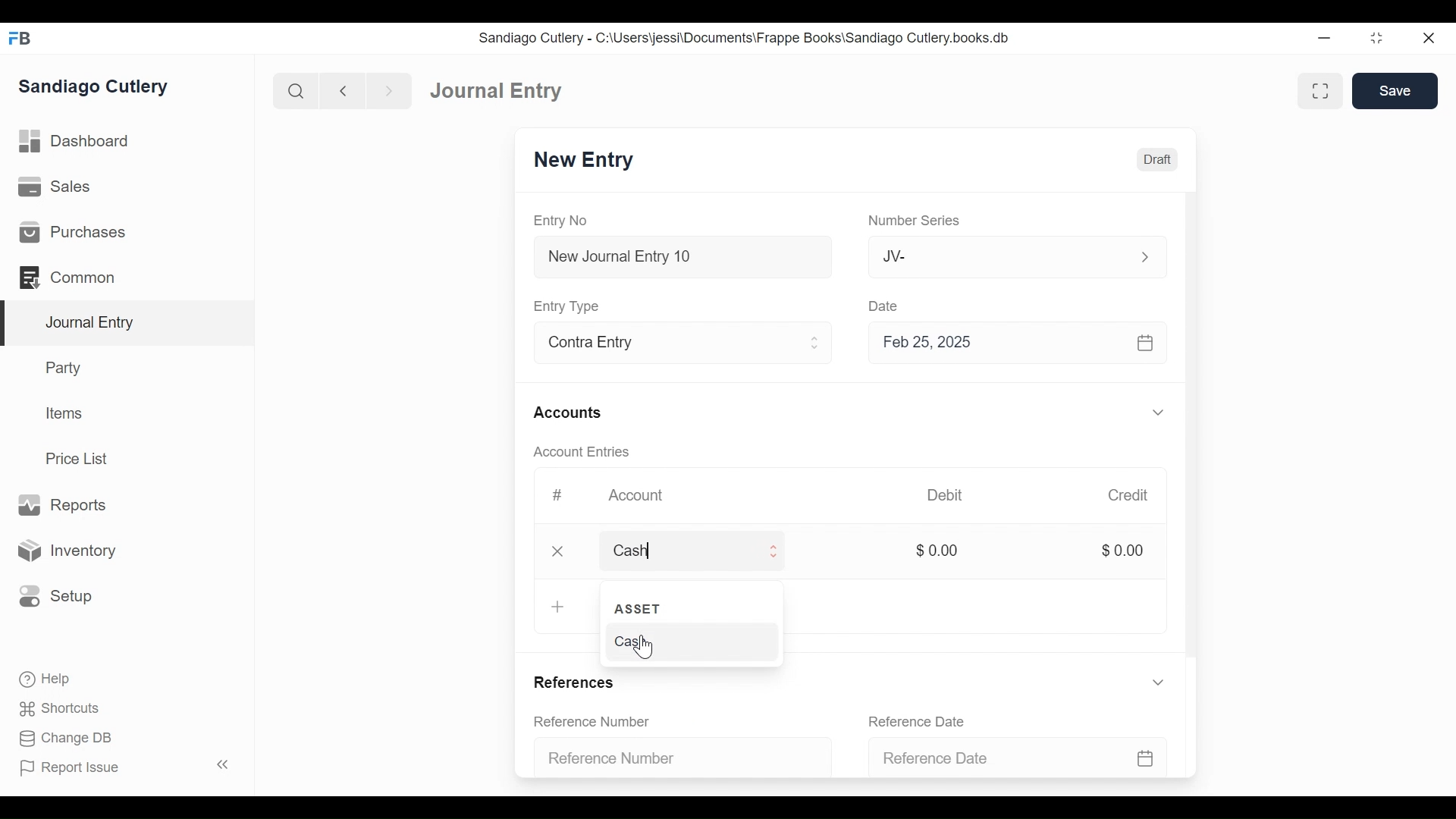 The width and height of the screenshot is (1456, 819). Describe the element at coordinates (1144, 256) in the screenshot. I see `Expand` at that location.